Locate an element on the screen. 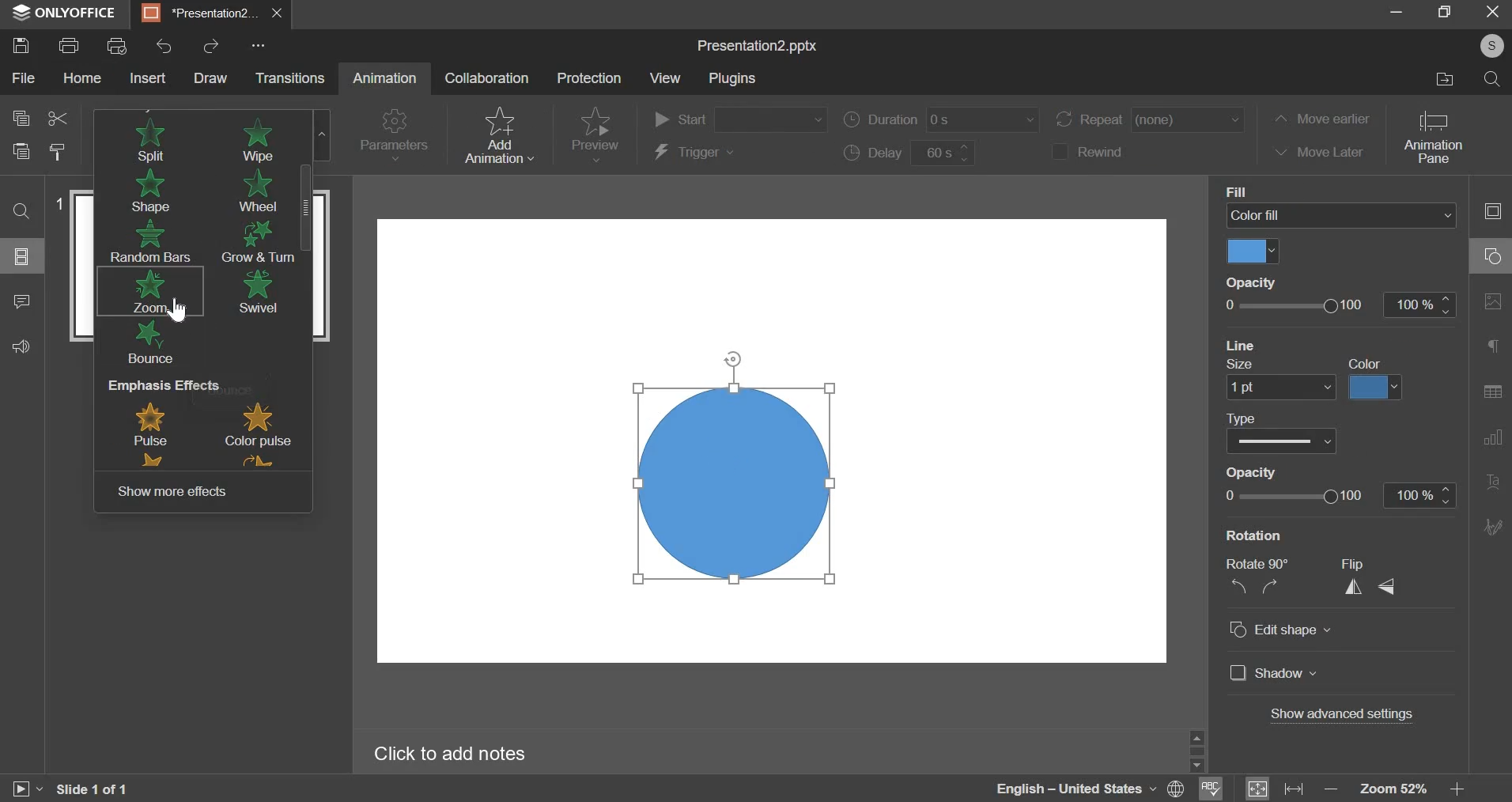  parameters is located at coordinates (392, 136).